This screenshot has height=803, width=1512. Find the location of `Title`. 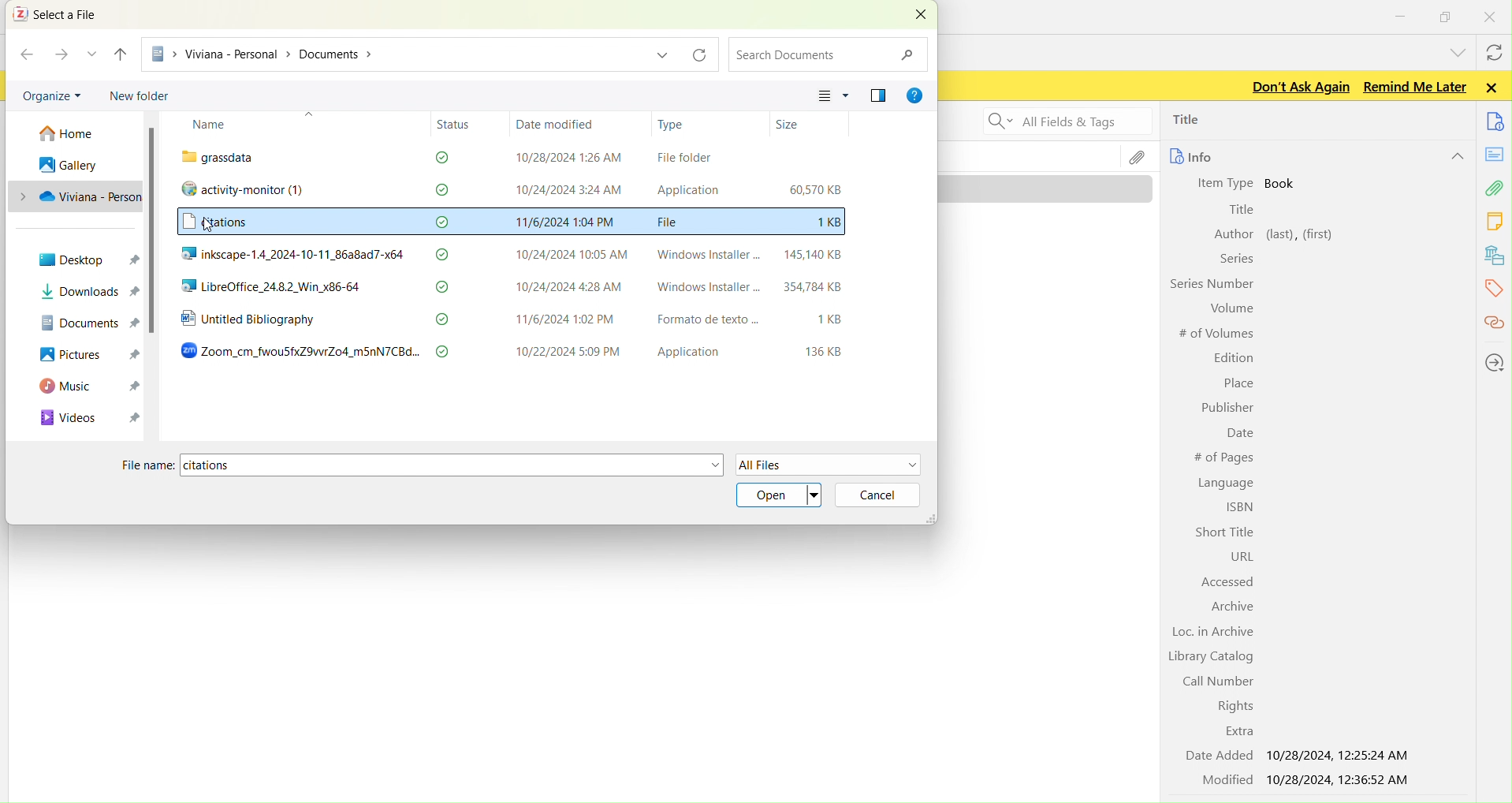

Title is located at coordinates (1242, 210).